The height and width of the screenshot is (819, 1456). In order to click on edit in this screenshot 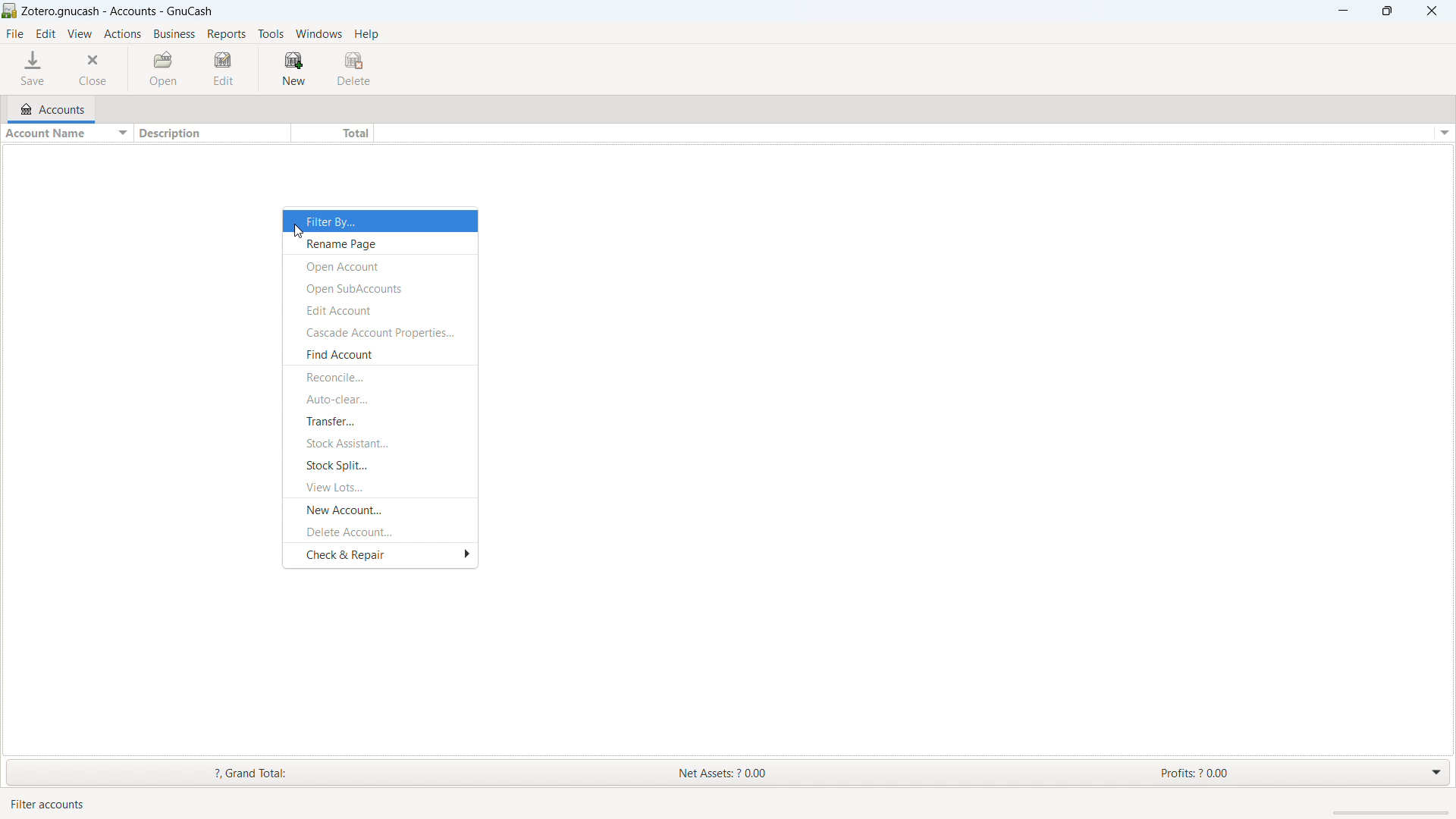, I will do `click(225, 68)`.